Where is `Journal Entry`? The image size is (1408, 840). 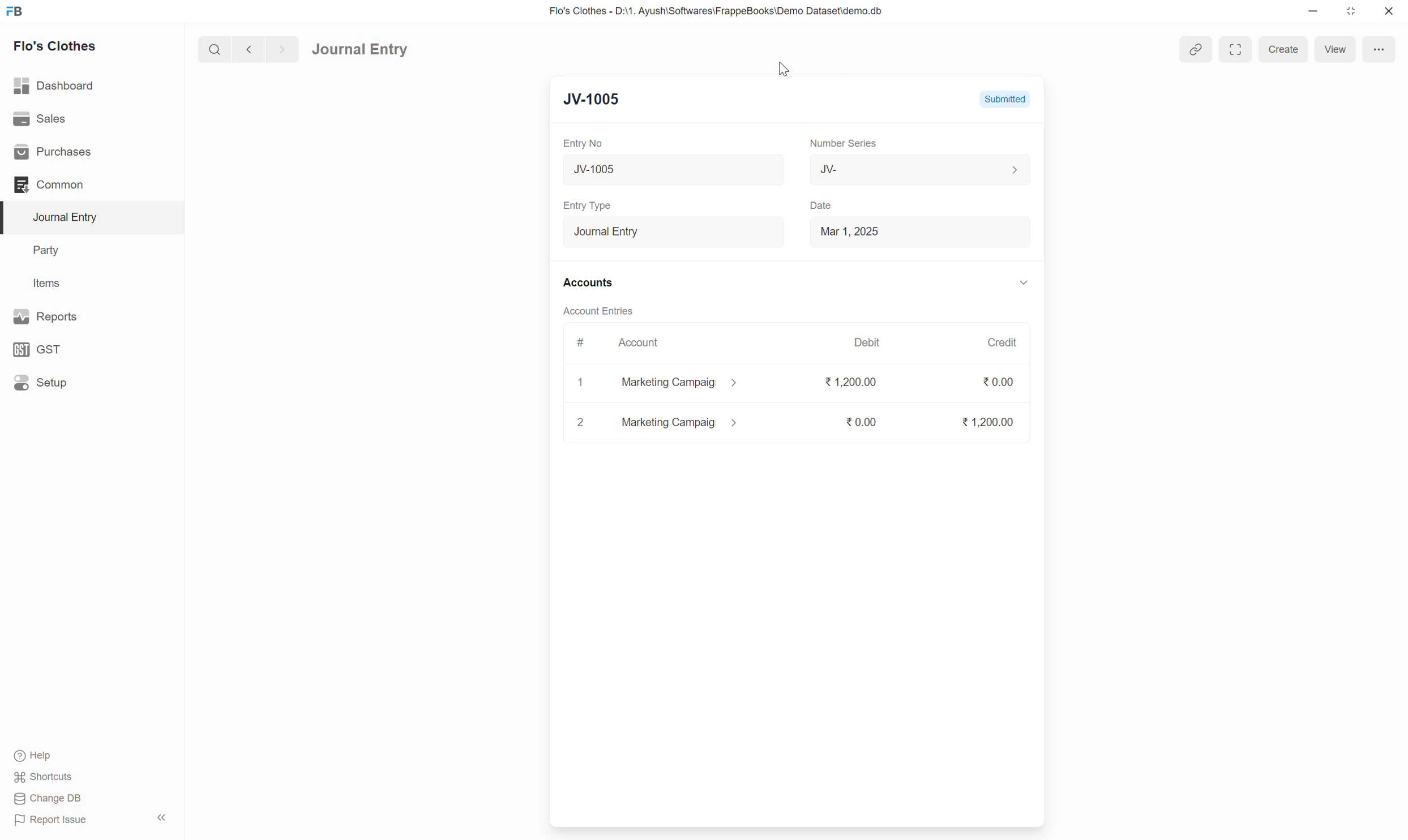
Journal Entry is located at coordinates (674, 231).